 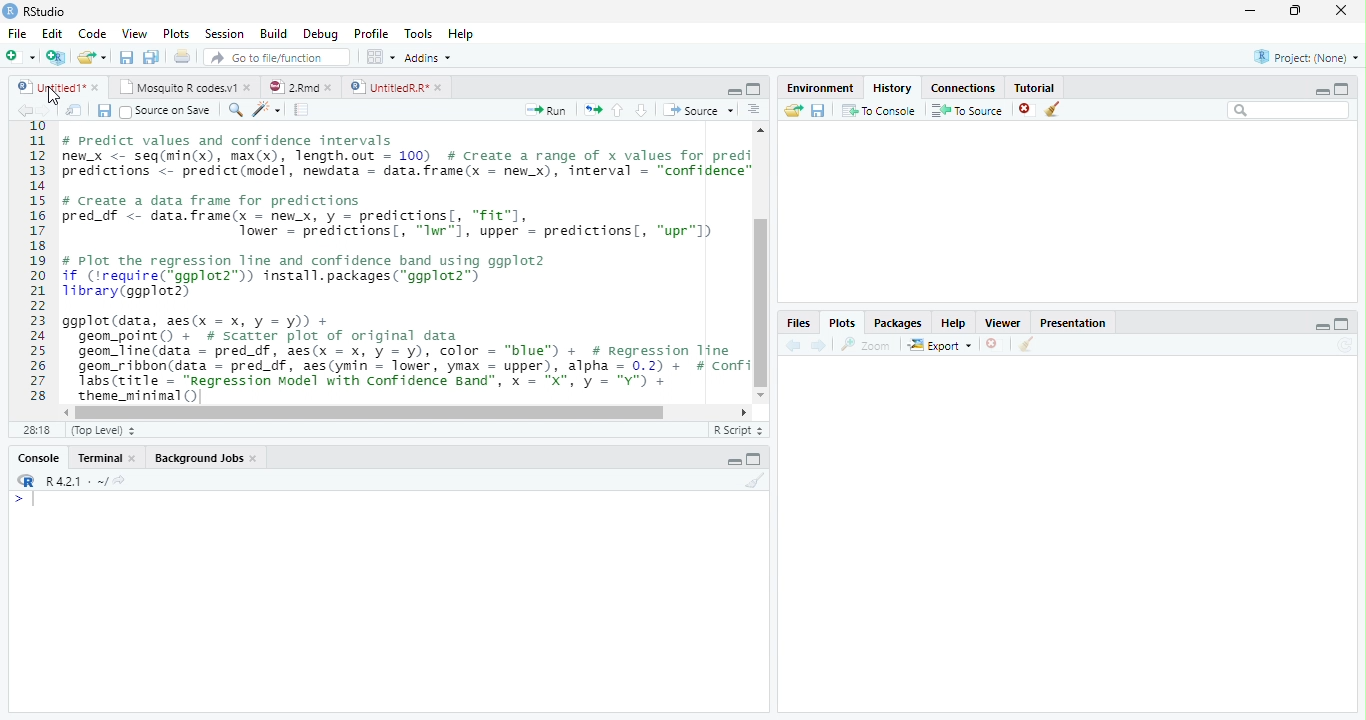 I want to click on delete , so click(x=1024, y=108).